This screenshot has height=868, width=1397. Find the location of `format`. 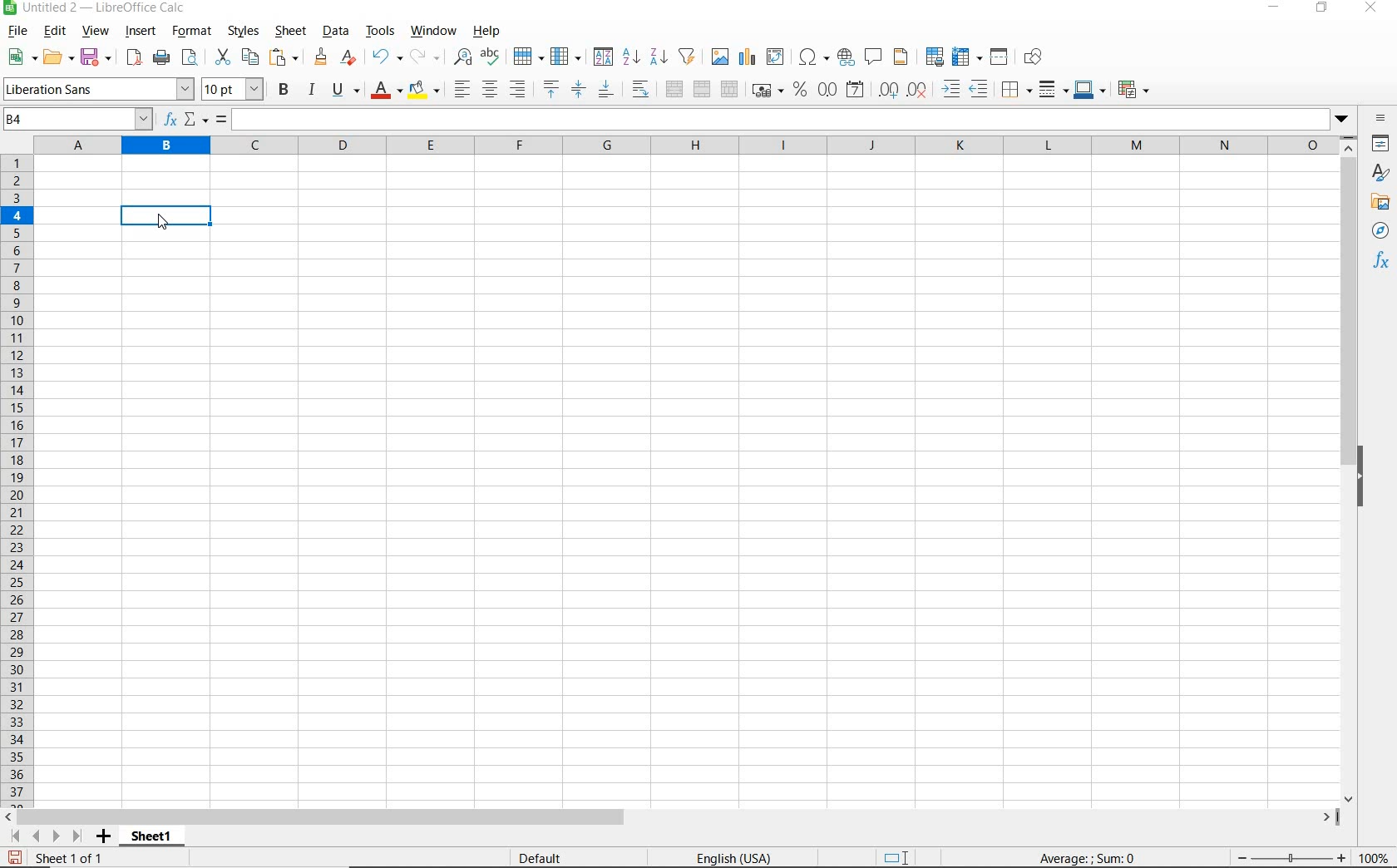

format is located at coordinates (193, 32).